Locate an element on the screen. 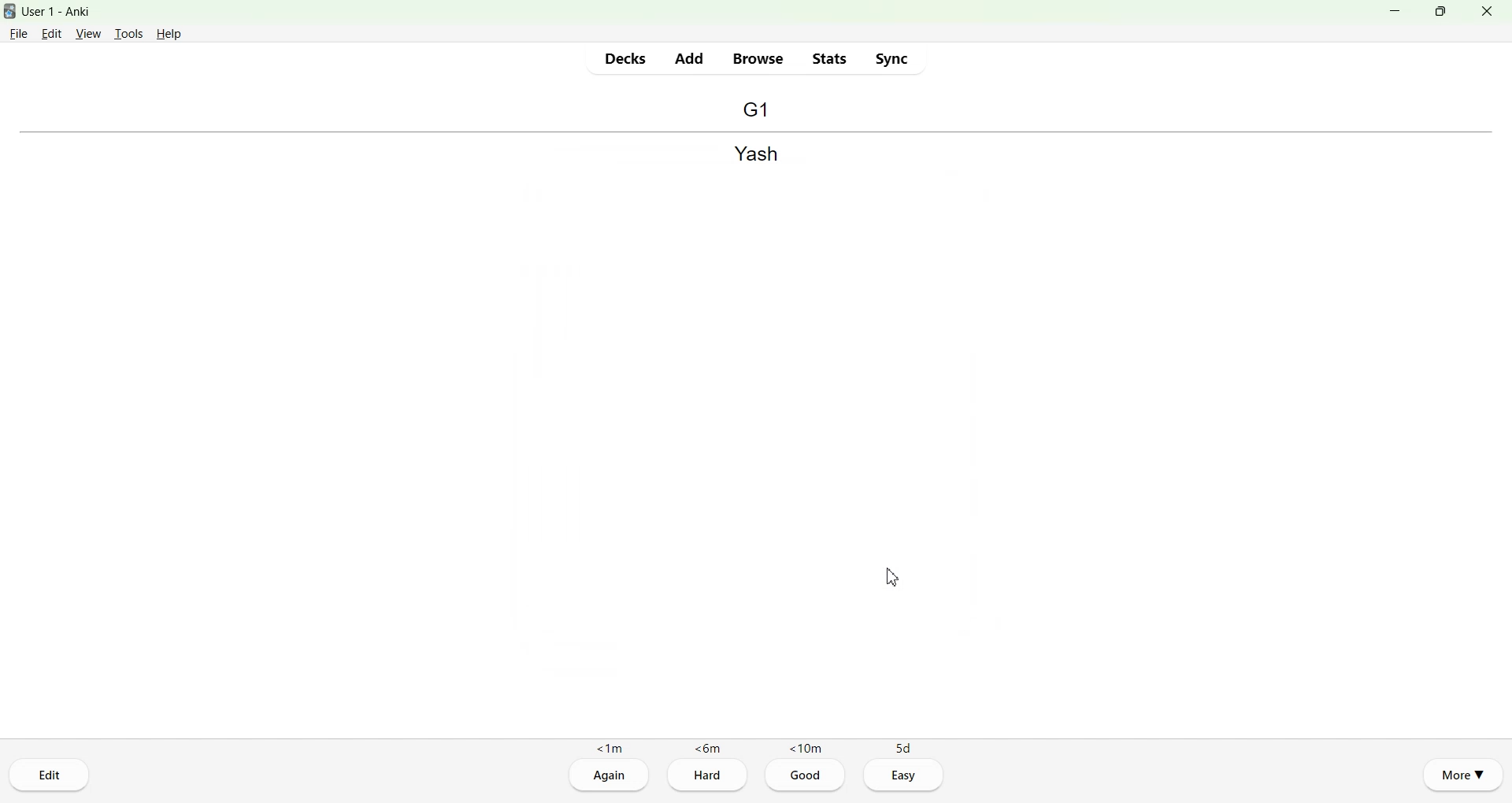  Stats is located at coordinates (828, 58).